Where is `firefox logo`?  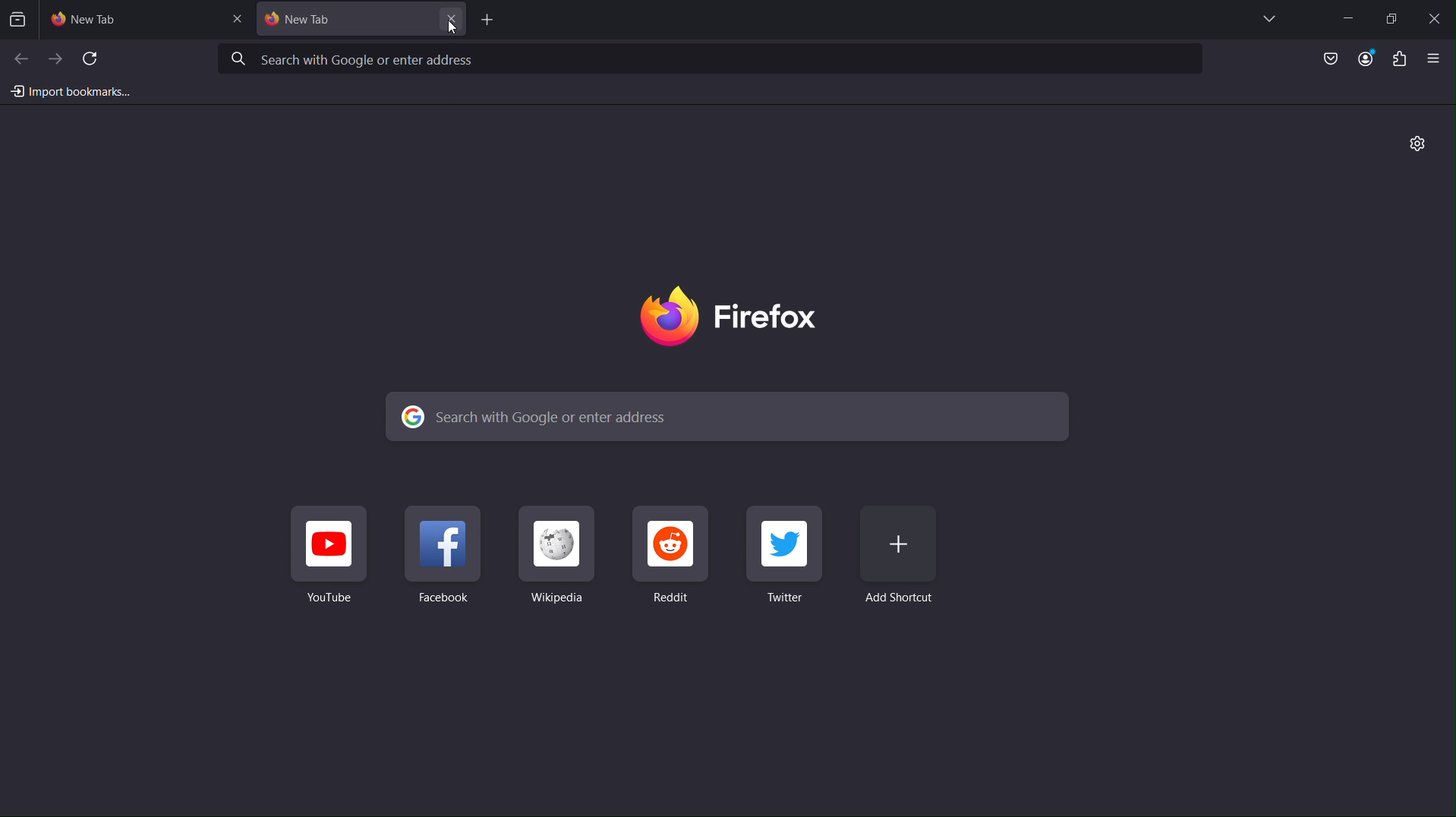
firefox logo is located at coordinates (731, 318).